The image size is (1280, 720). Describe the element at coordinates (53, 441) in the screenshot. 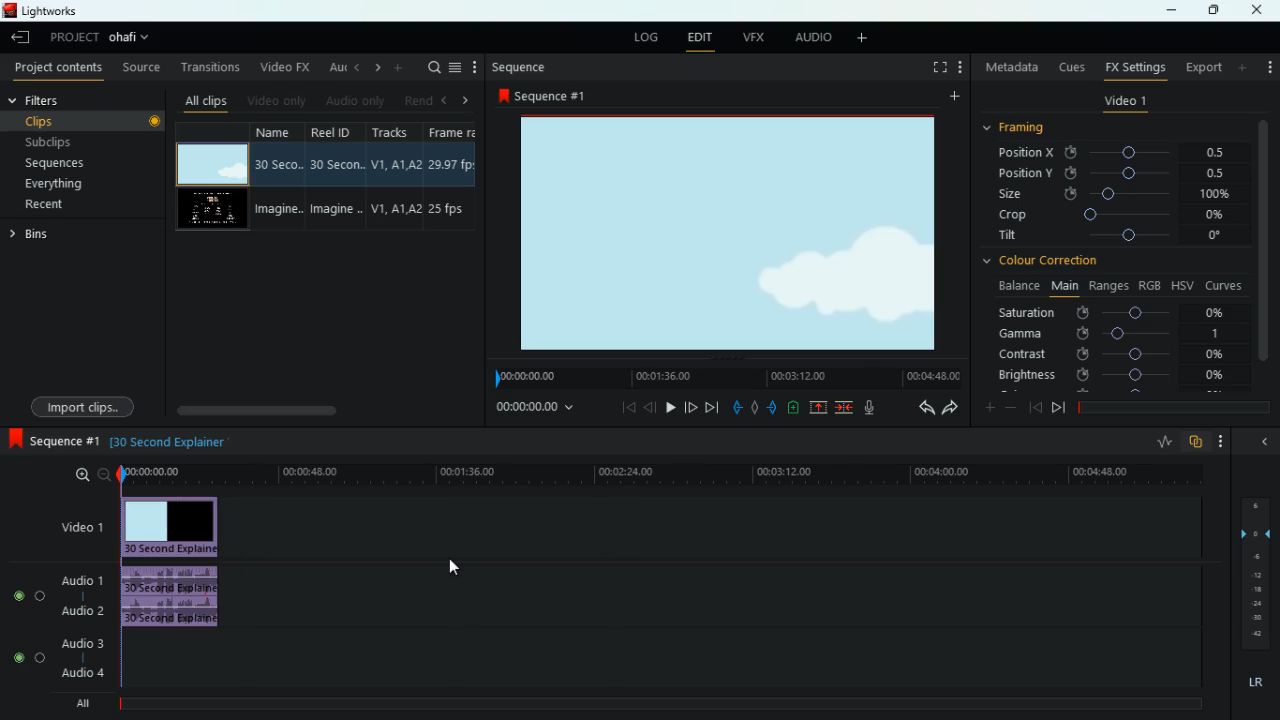

I see `sequence 1` at that location.